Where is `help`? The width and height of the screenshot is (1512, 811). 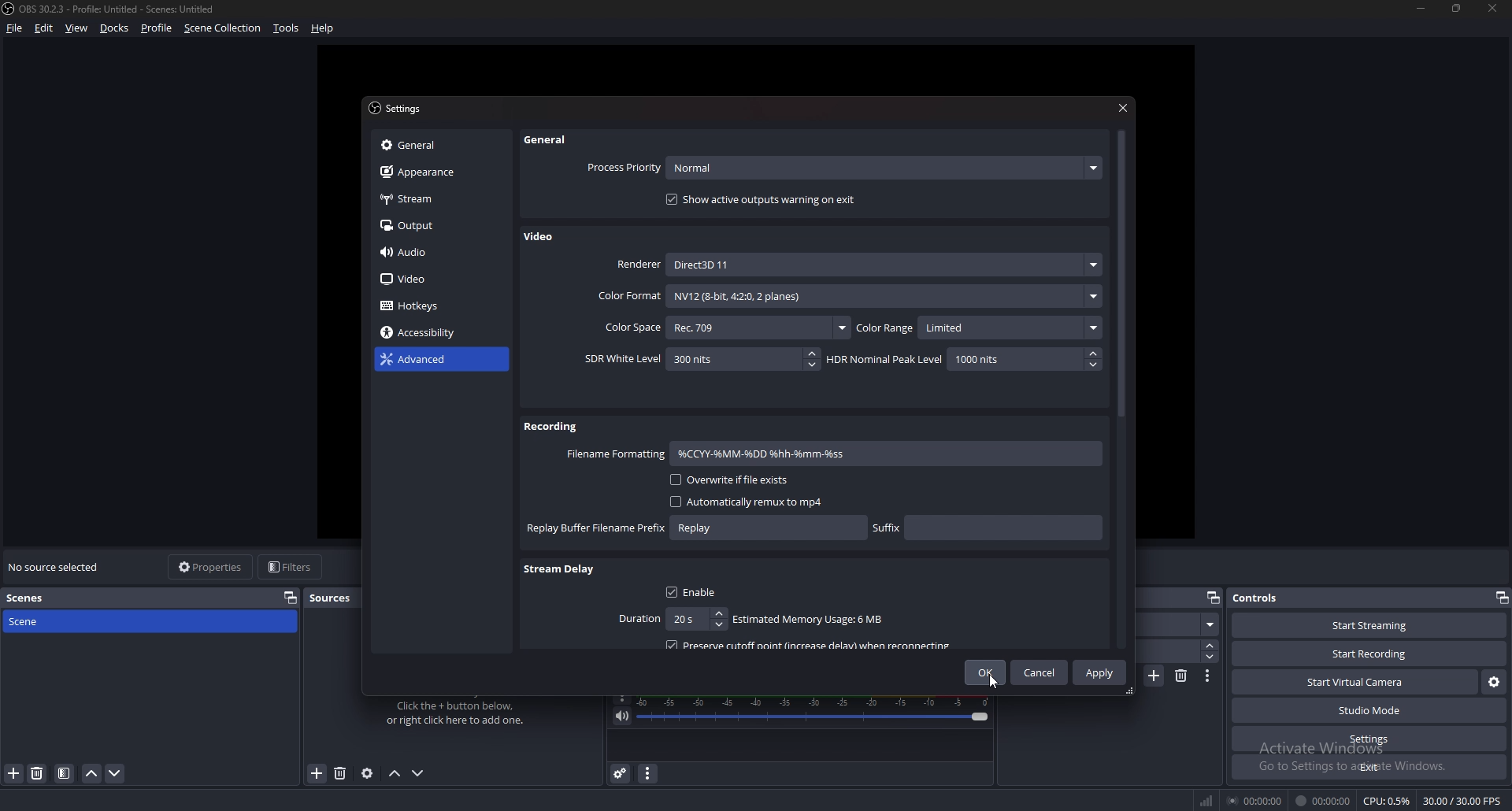
help is located at coordinates (323, 28).